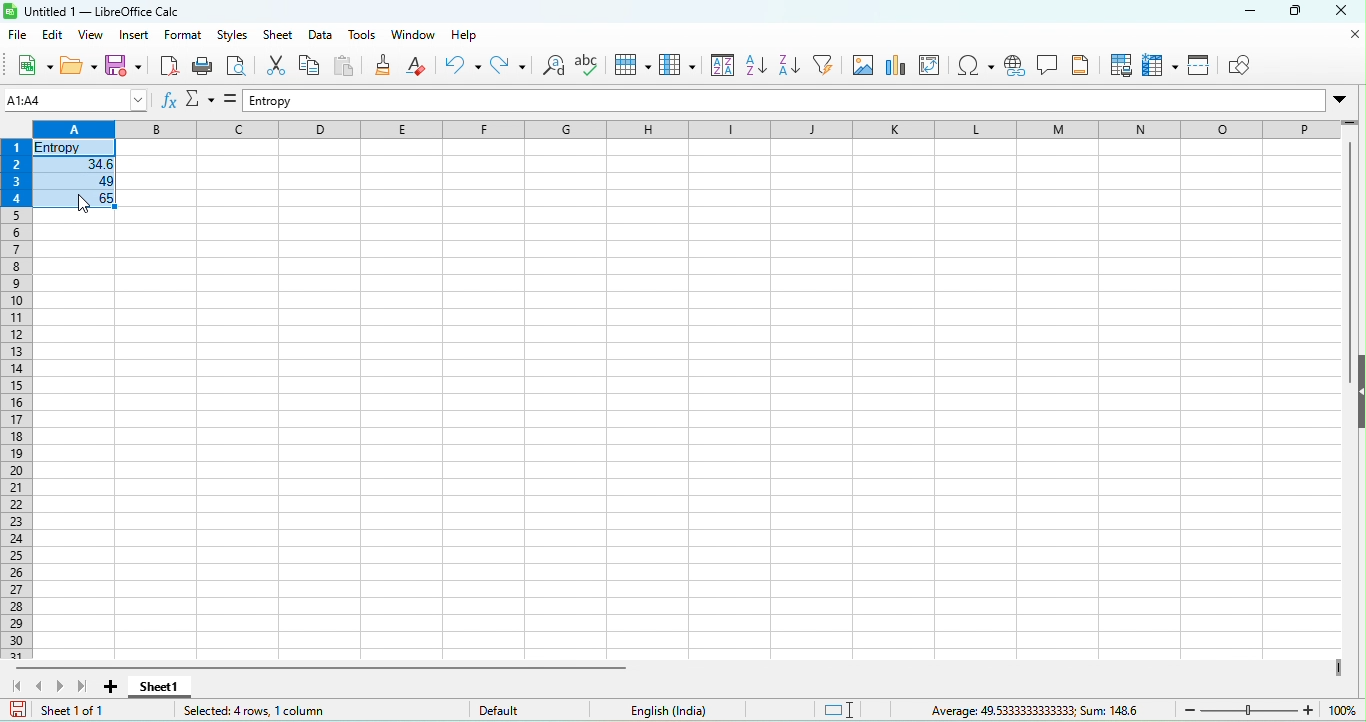 Image resolution: width=1366 pixels, height=722 pixels. I want to click on date, so click(329, 35).